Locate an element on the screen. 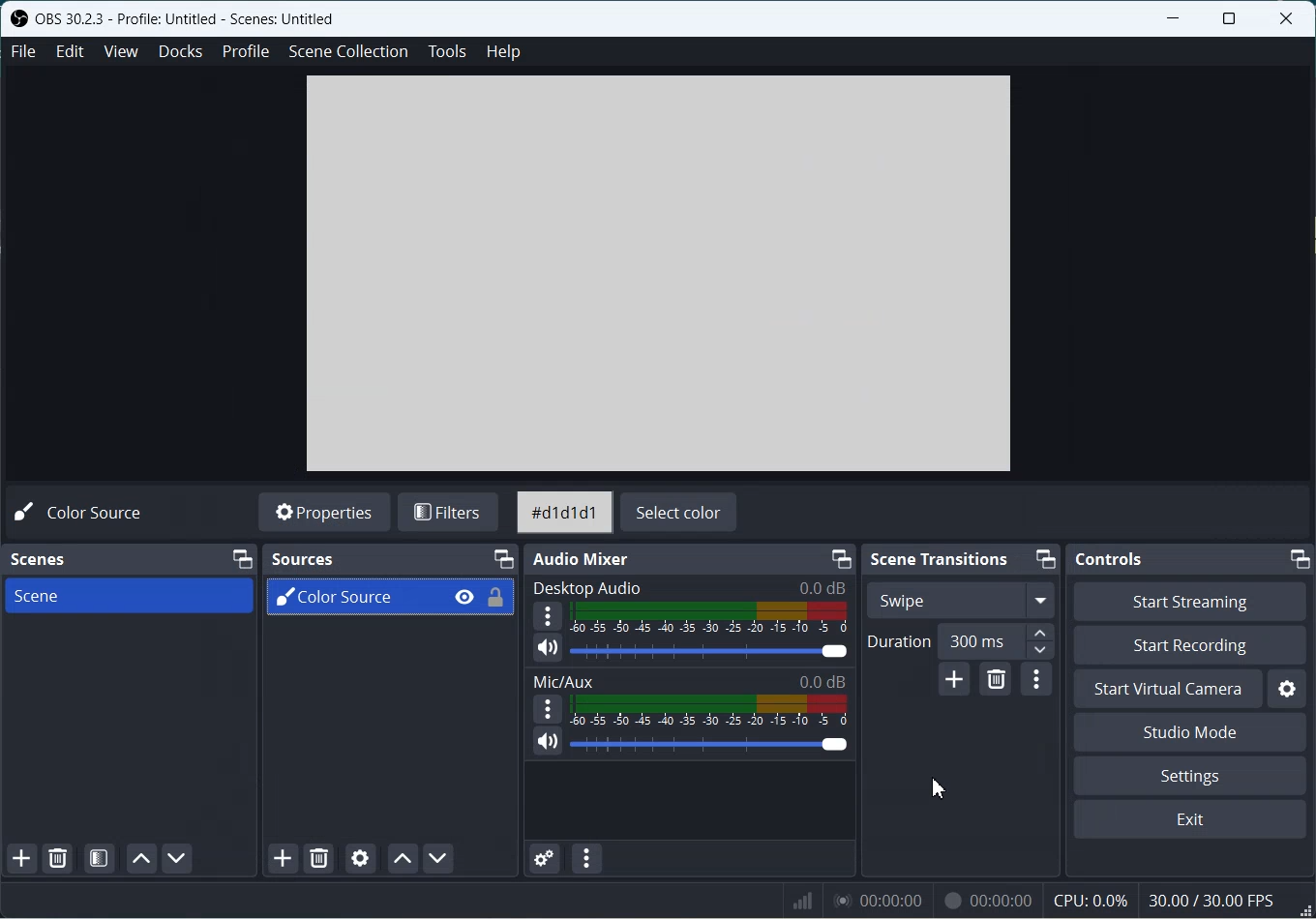  Scene Transitions is located at coordinates (942, 559).